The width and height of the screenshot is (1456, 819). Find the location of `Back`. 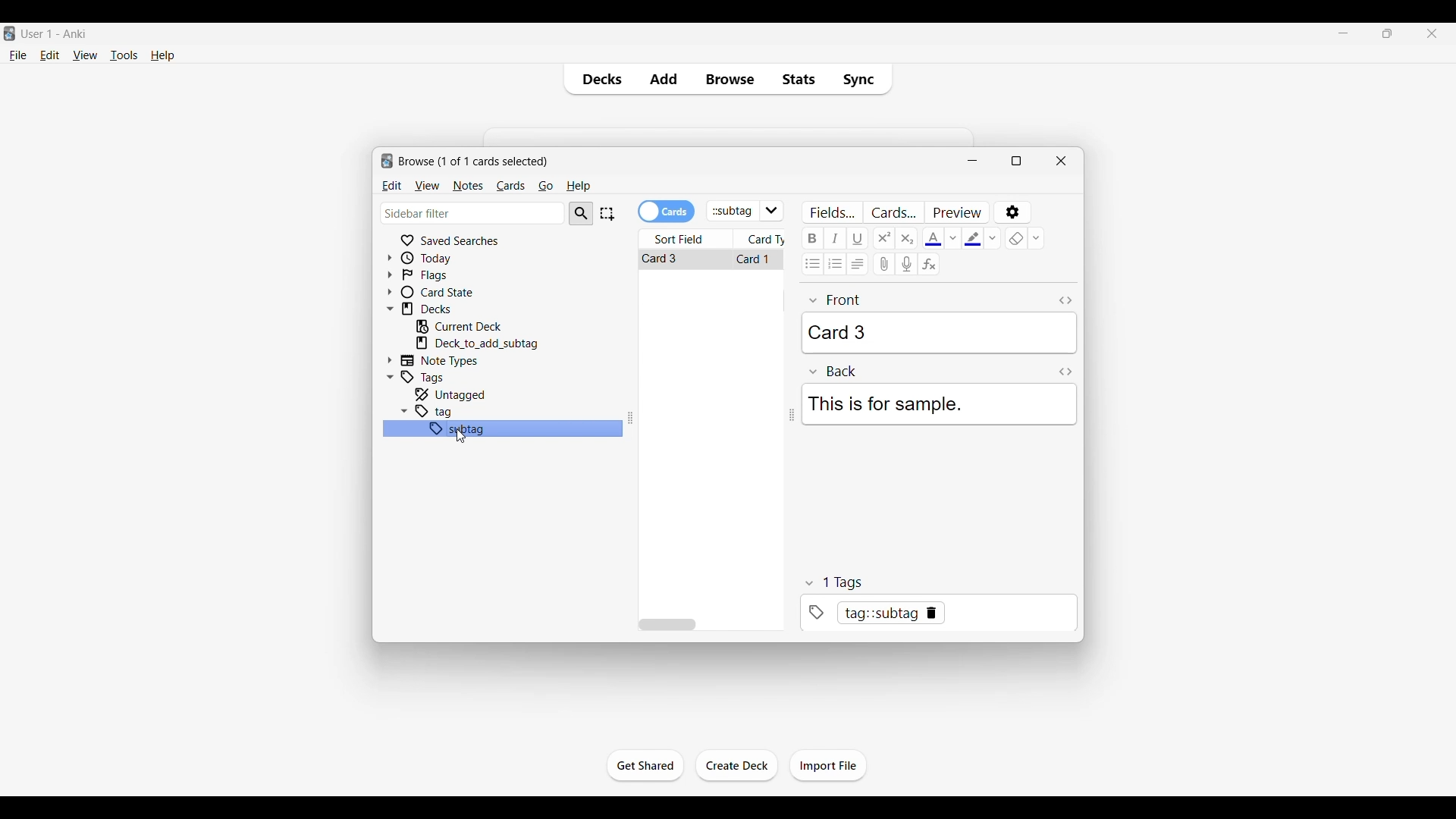

Back is located at coordinates (833, 372).